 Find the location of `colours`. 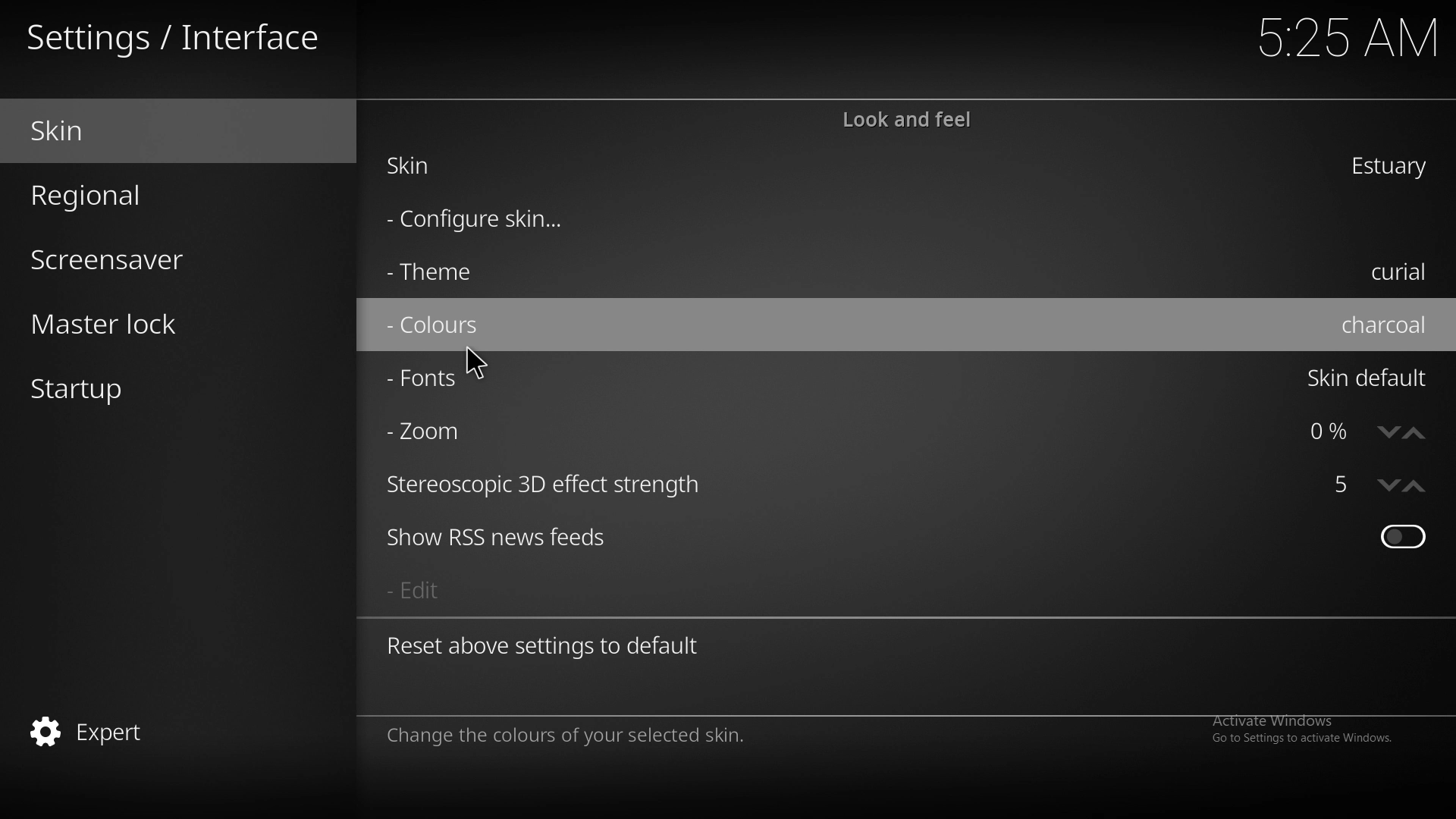

colours is located at coordinates (510, 323).